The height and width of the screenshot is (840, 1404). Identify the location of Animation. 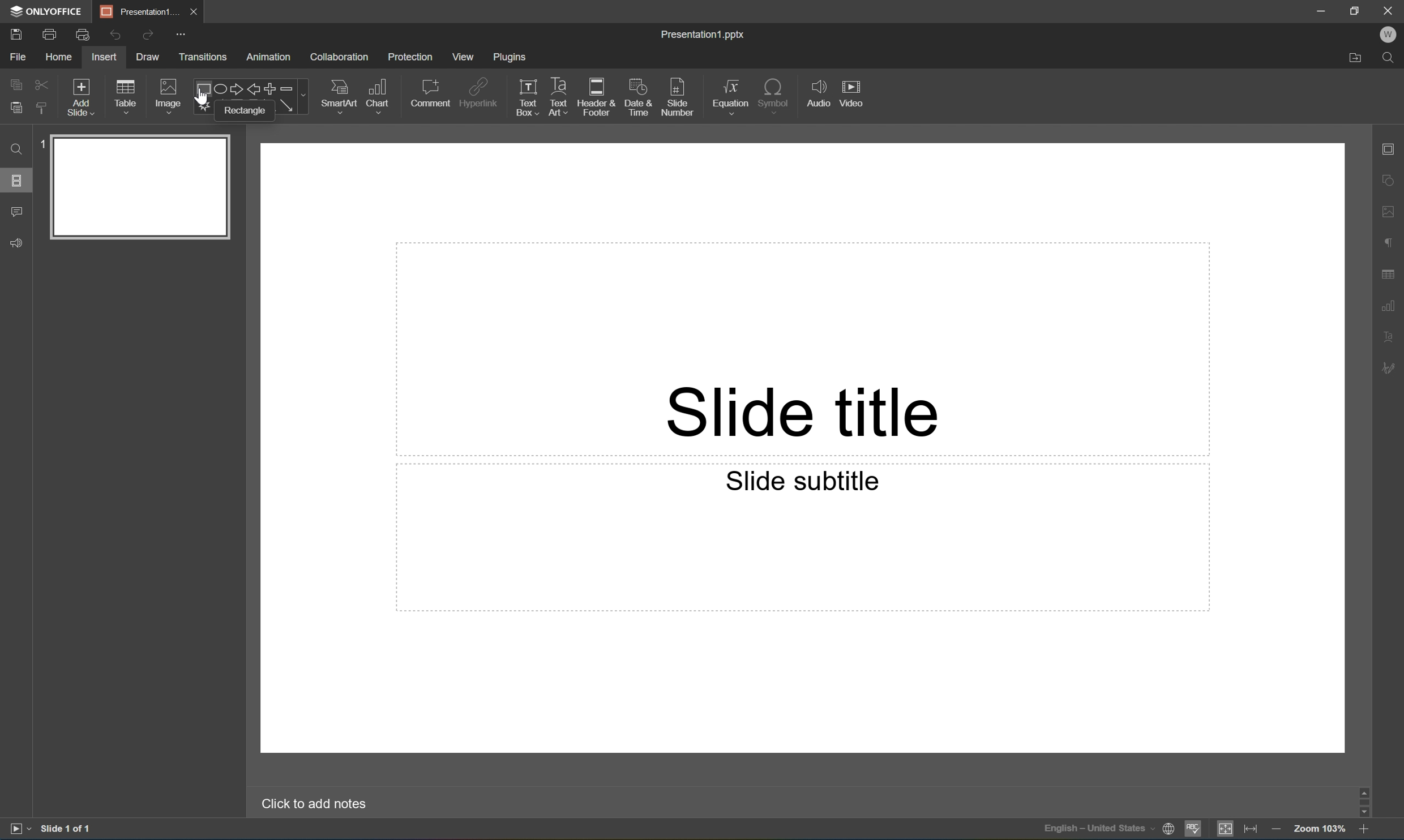
(268, 58).